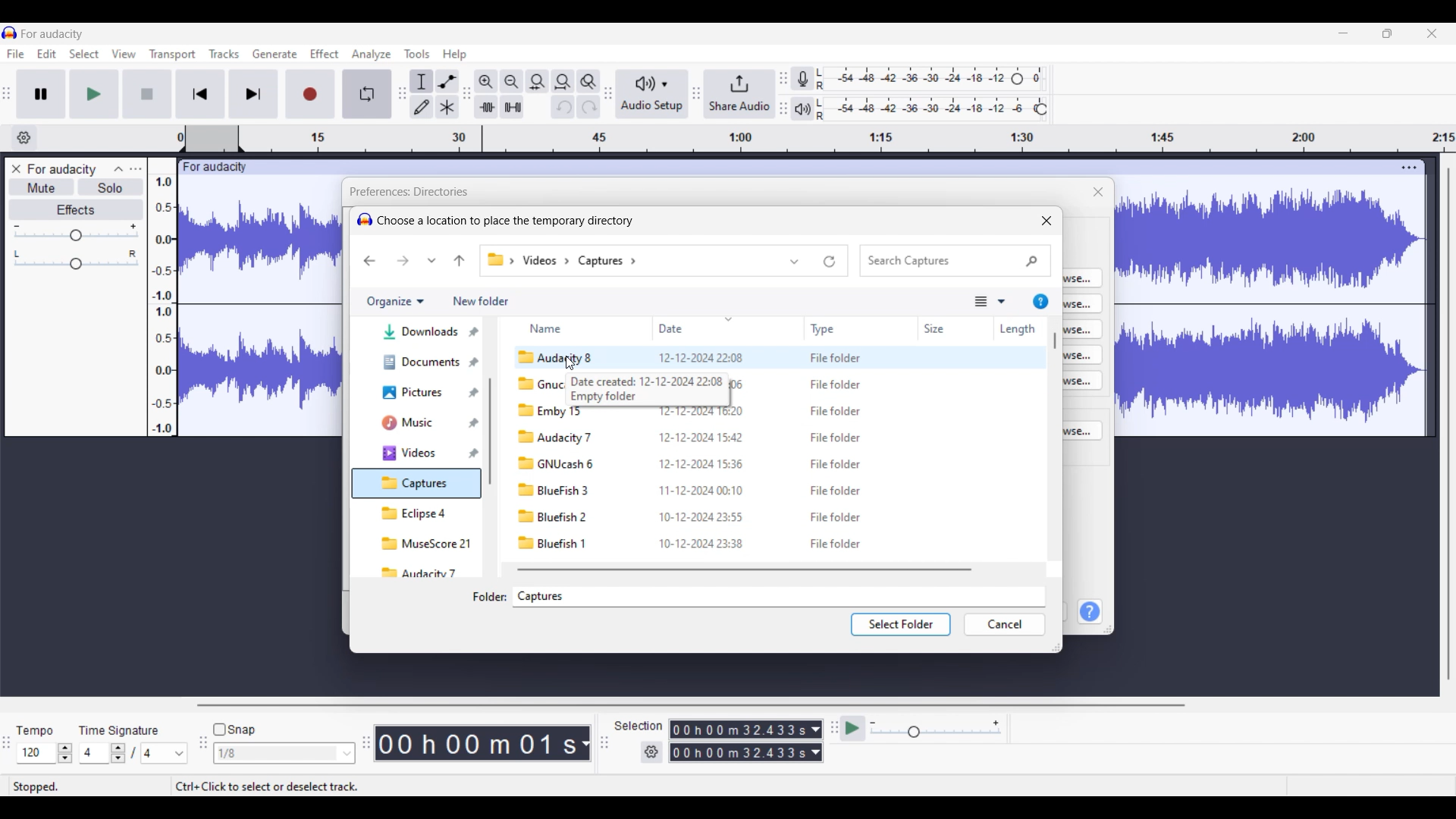 Image resolution: width=1456 pixels, height=819 pixels. What do you see at coordinates (417, 573) in the screenshot?
I see `audacity 7` at bounding box center [417, 573].